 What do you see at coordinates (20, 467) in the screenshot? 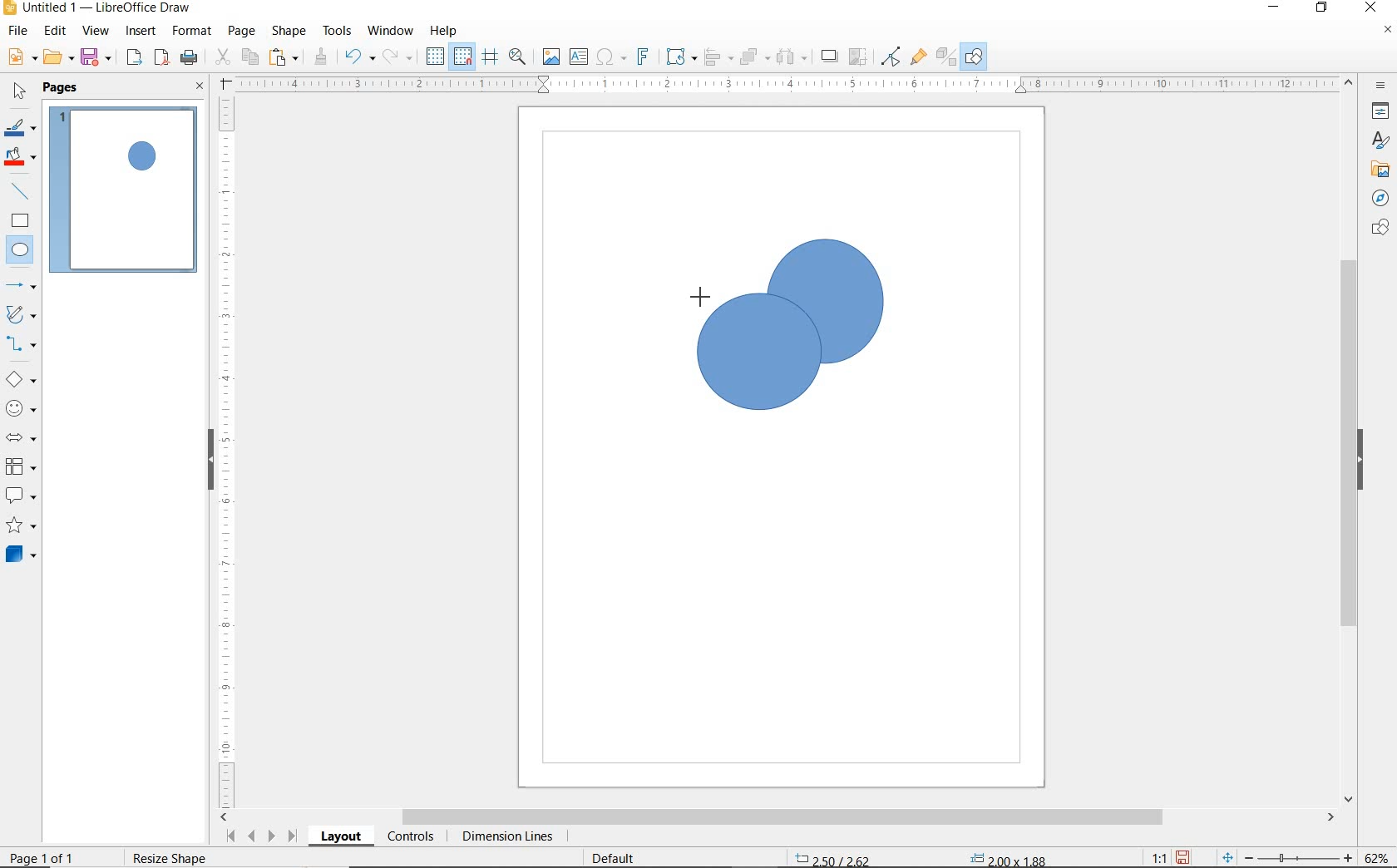
I see `FLOWCHART` at bounding box center [20, 467].